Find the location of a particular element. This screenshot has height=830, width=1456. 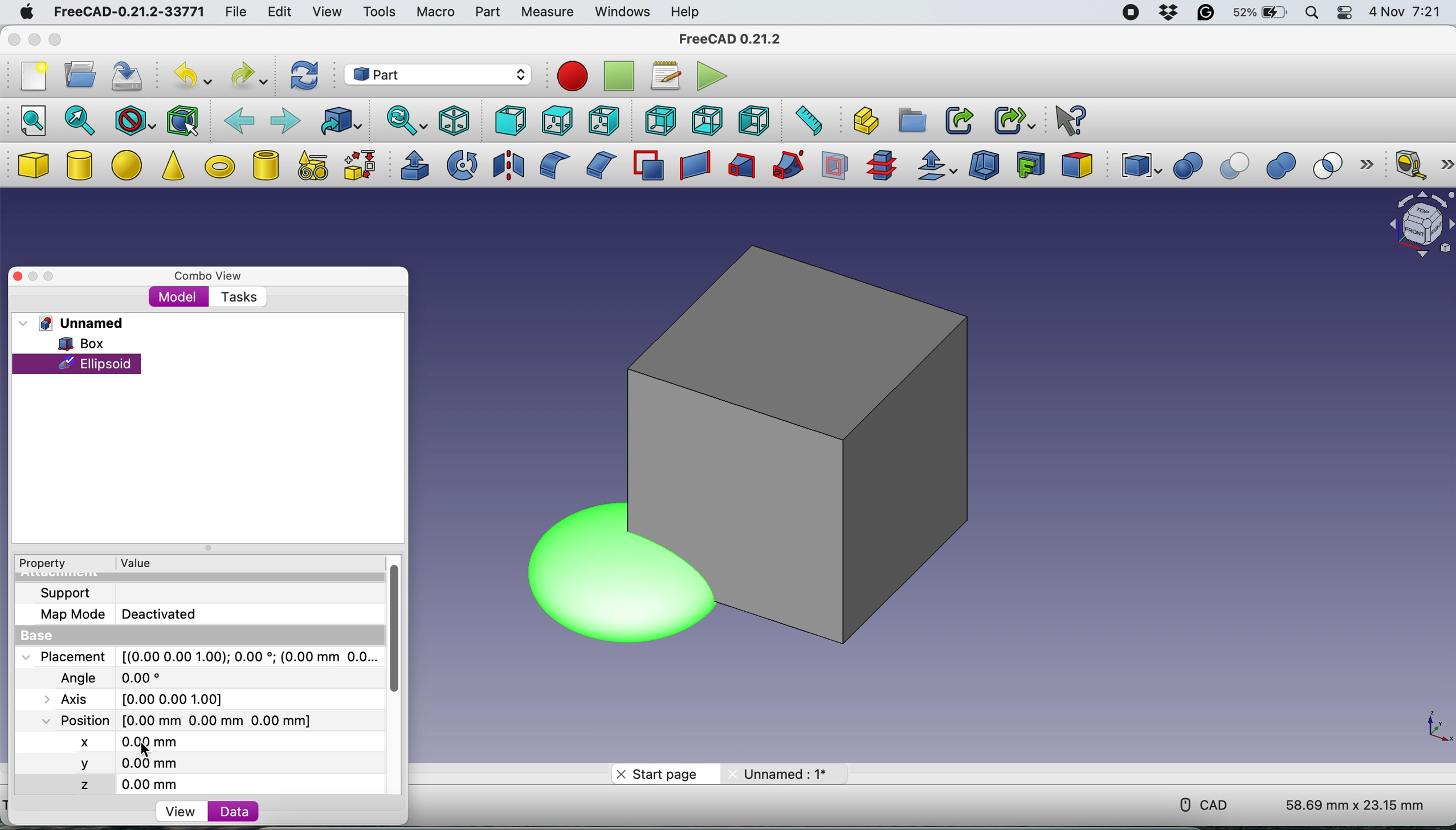

vertical scroll bar is located at coordinates (390, 625).